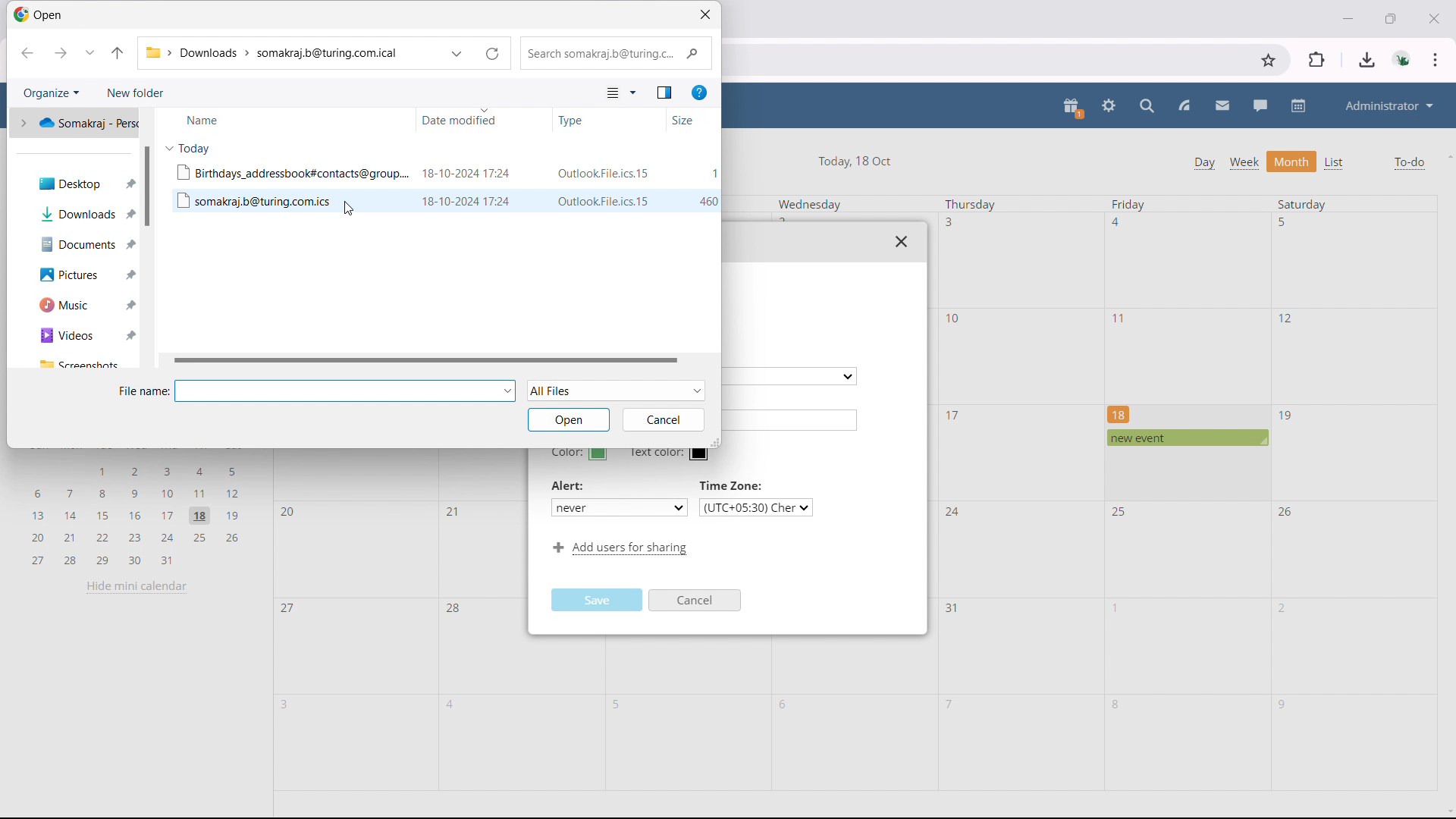 This screenshot has height=819, width=1456. Describe the element at coordinates (1367, 60) in the screenshot. I see `downloads` at that location.